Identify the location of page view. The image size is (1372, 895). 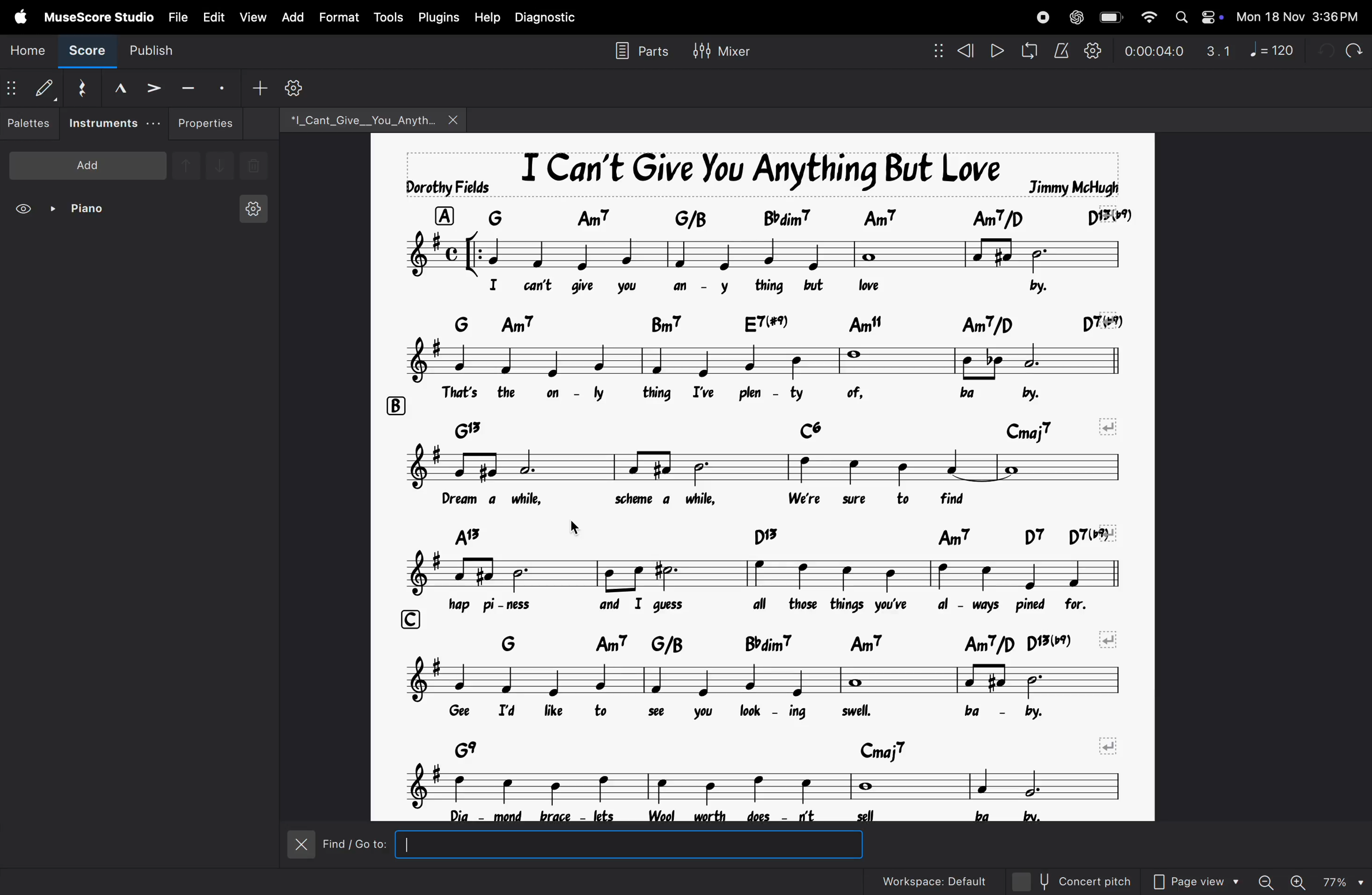
(1195, 881).